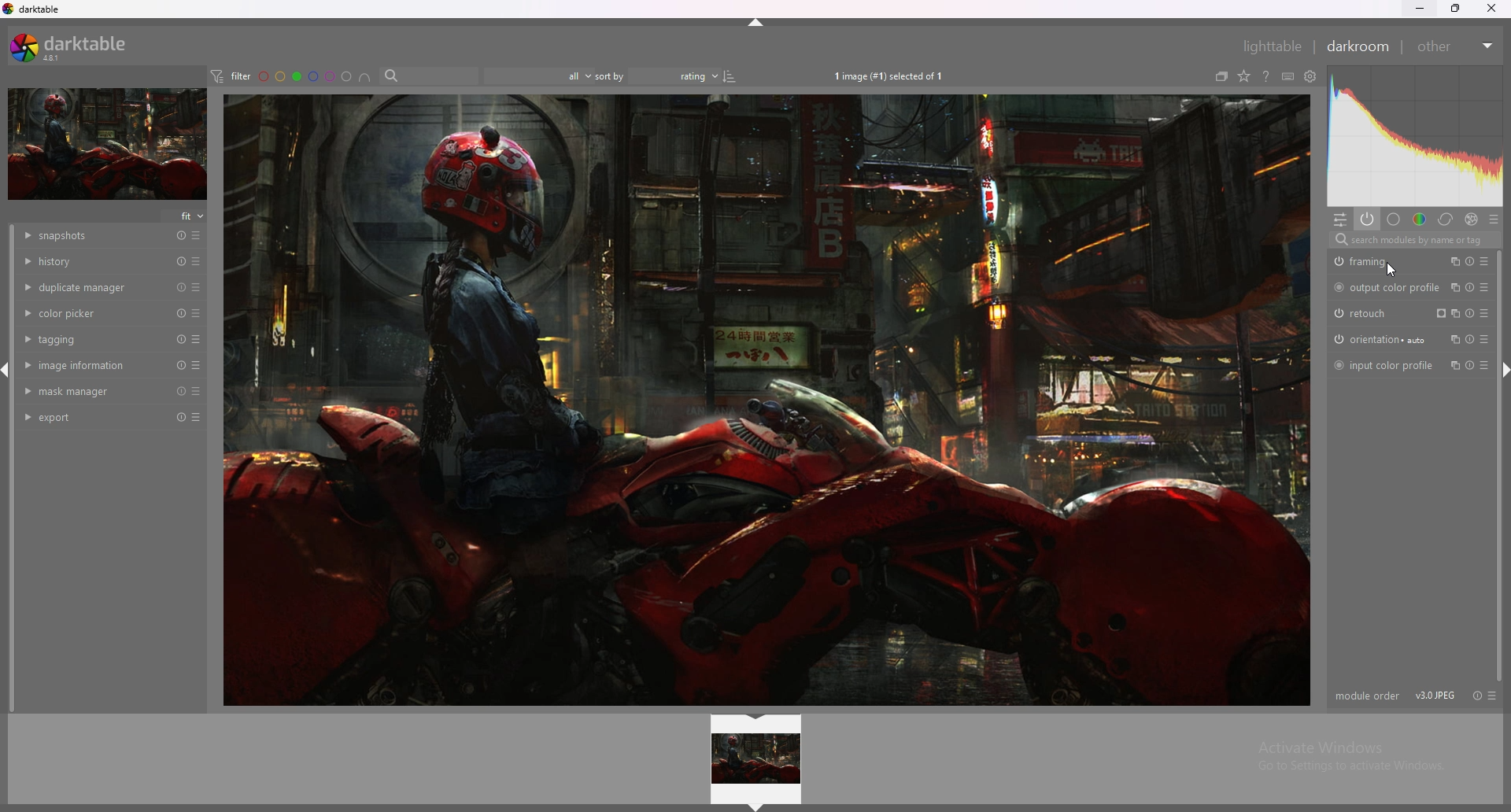  Describe the element at coordinates (1454, 262) in the screenshot. I see `multiple instances action` at that location.